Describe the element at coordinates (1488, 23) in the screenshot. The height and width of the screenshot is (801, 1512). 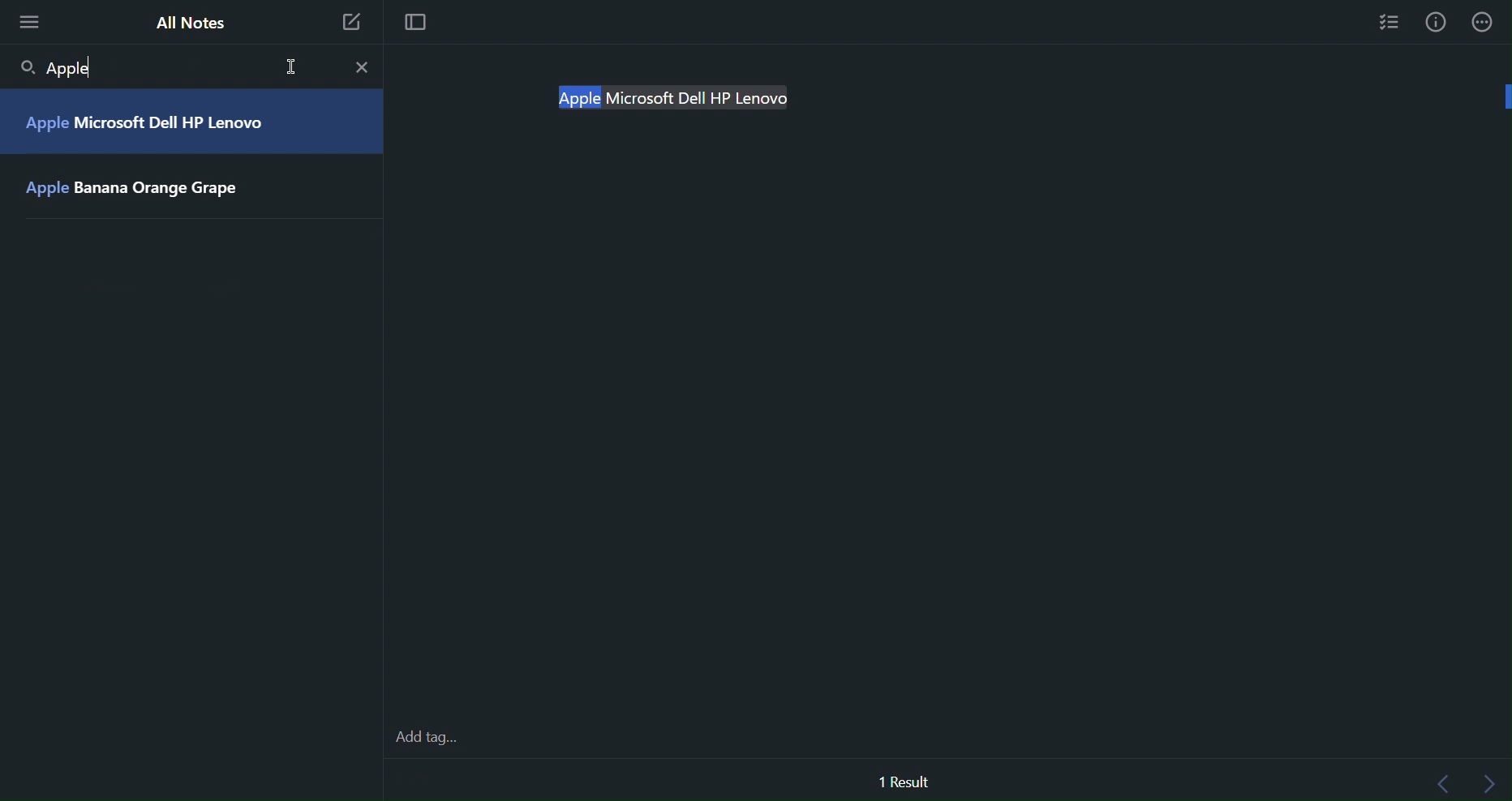
I see `More` at that location.